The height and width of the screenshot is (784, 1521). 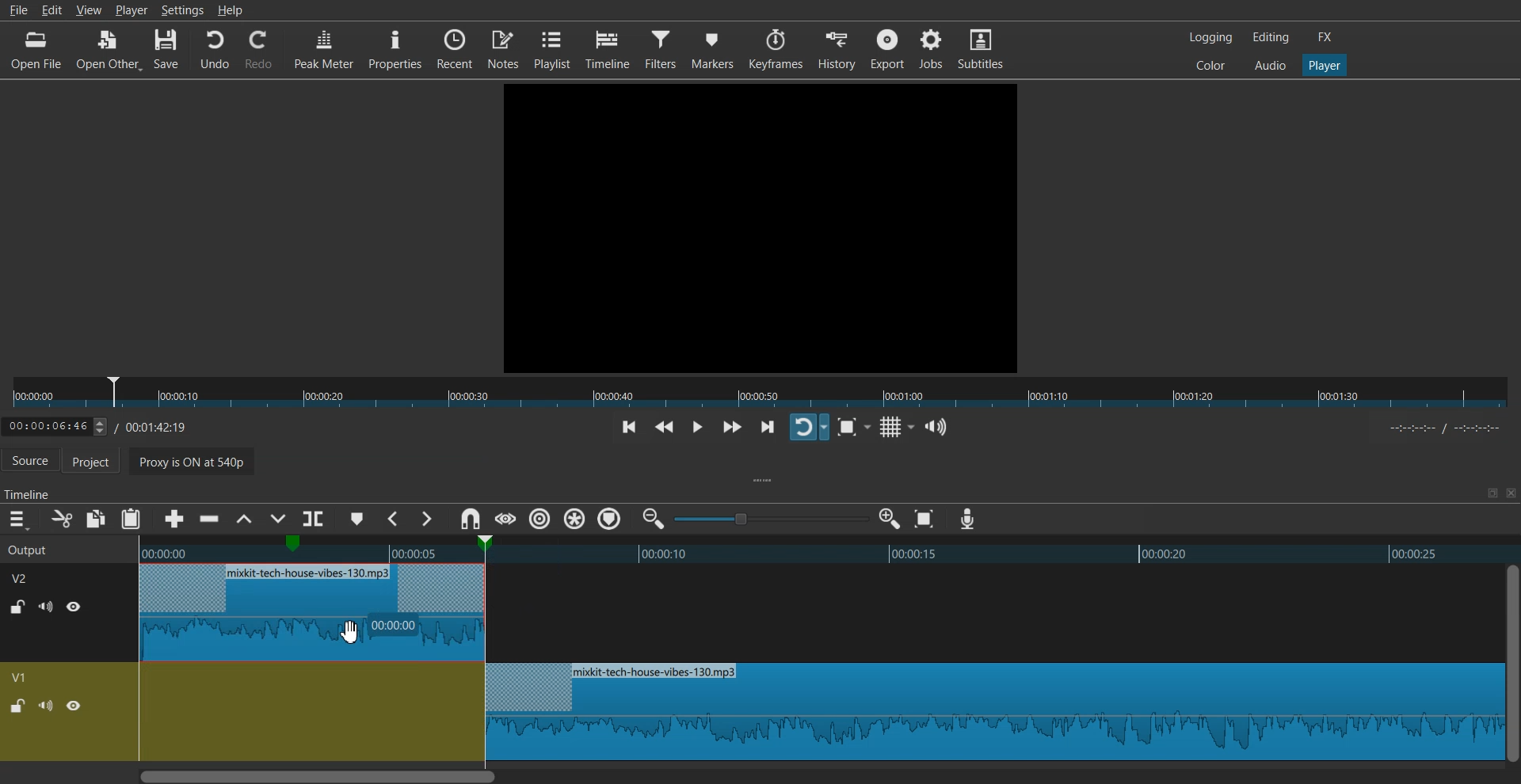 What do you see at coordinates (19, 607) in the screenshot?
I see `Lock / UnLock` at bounding box center [19, 607].